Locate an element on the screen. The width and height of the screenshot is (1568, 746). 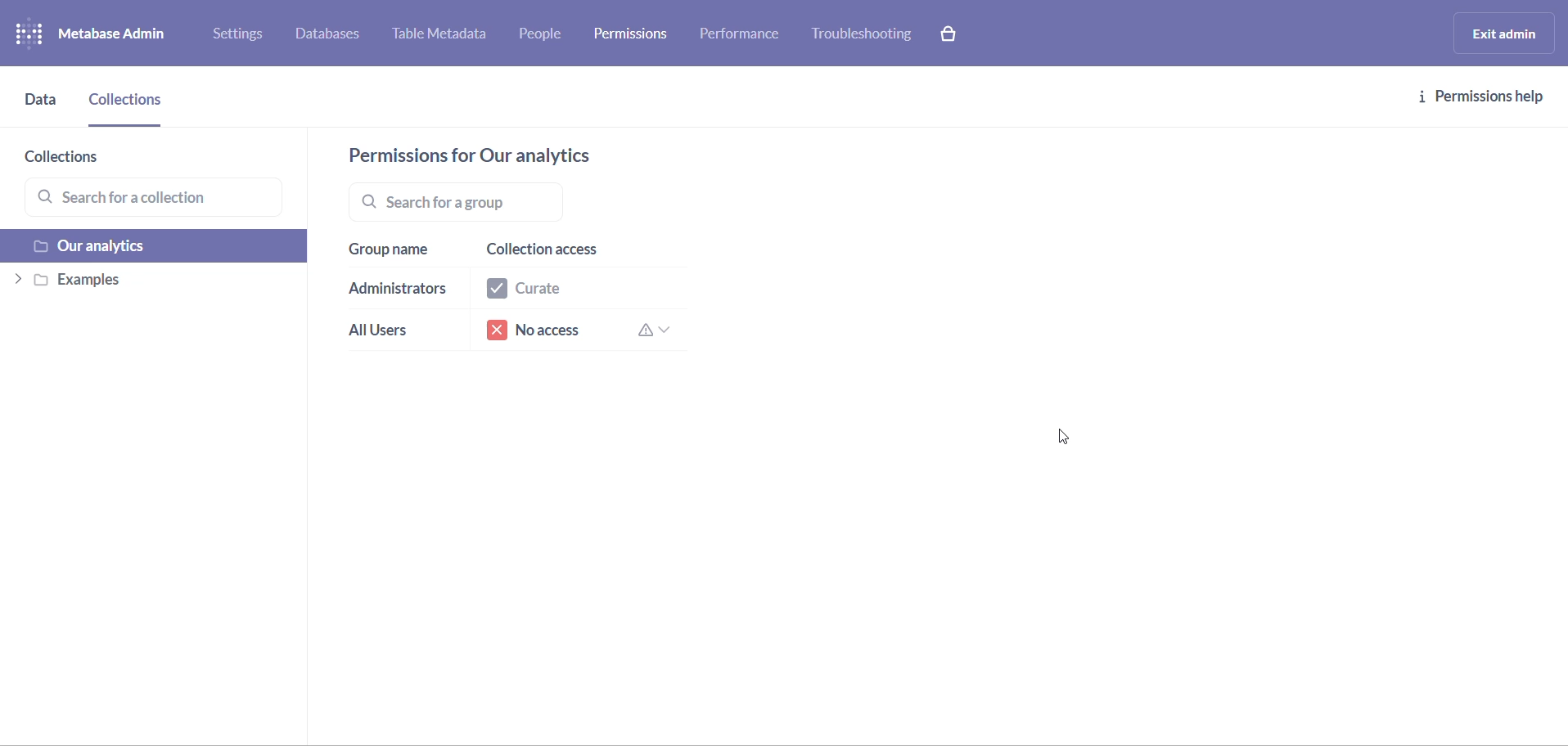
permissions is located at coordinates (636, 32).